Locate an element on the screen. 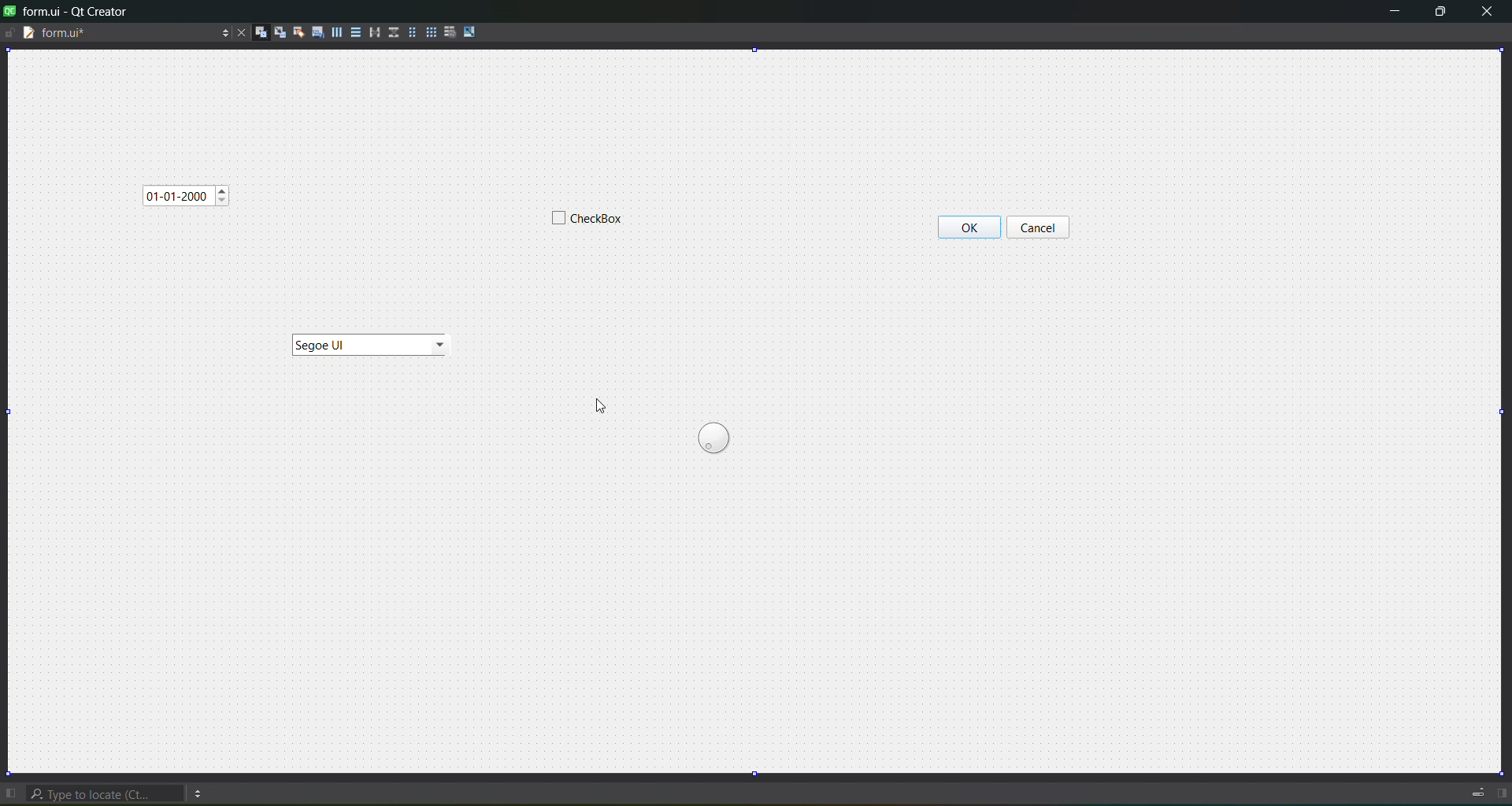 This screenshot has height=806, width=1512. vertical layout is located at coordinates (354, 33).